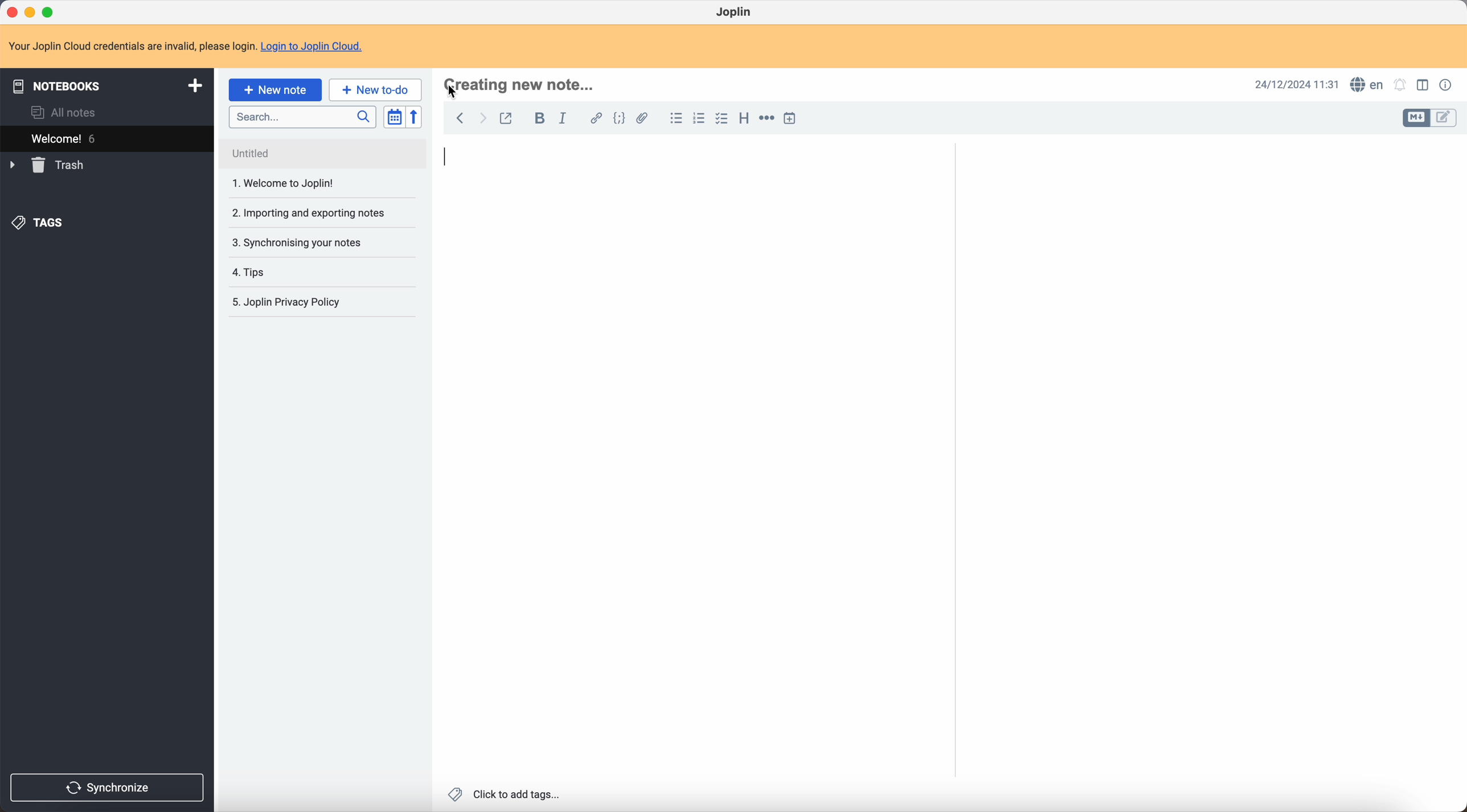 The height and width of the screenshot is (812, 1467). What do you see at coordinates (1422, 84) in the screenshot?
I see `toggle edit layout` at bounding box center [1422, 84].